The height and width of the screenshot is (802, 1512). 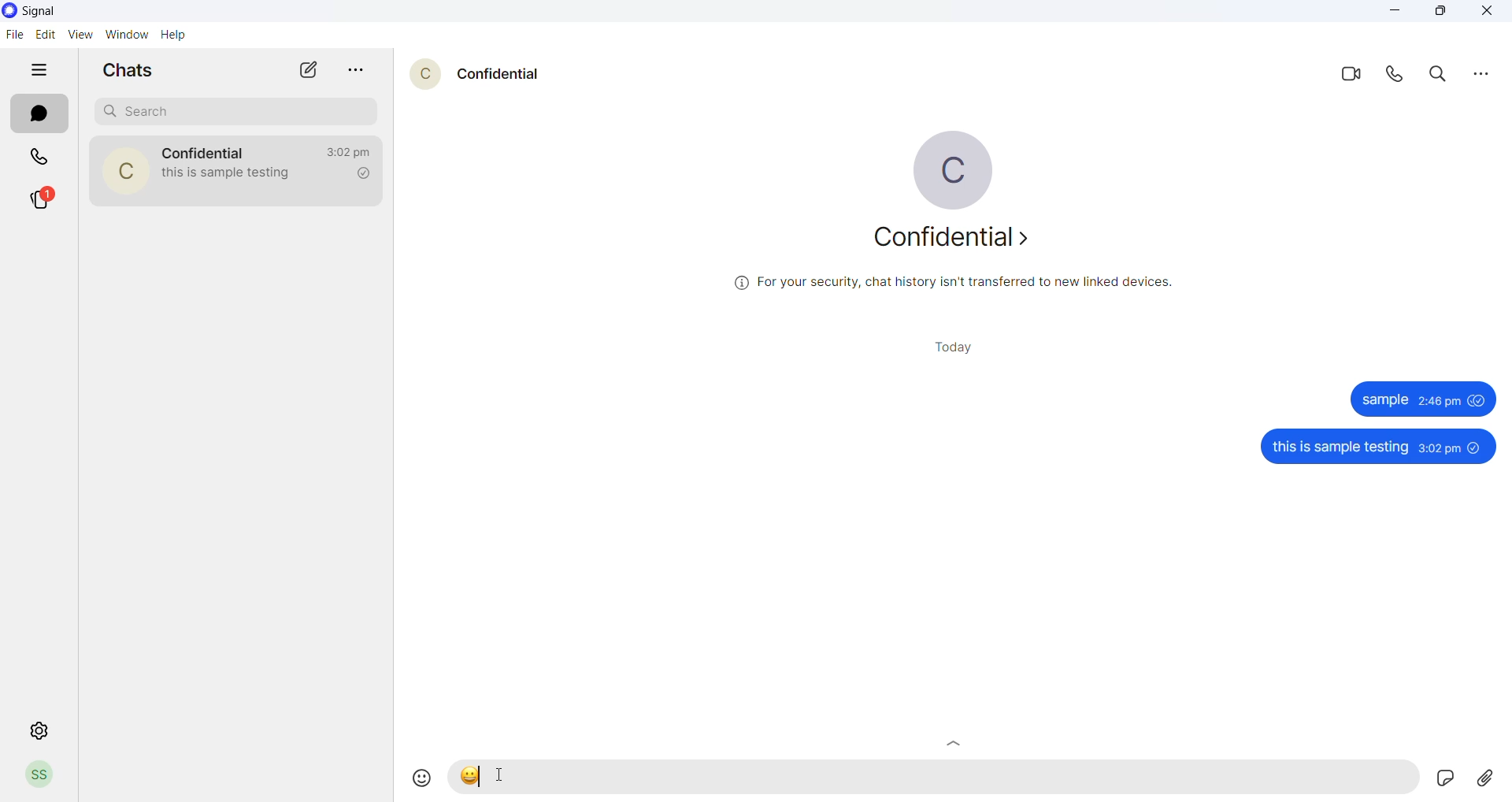 What do you see at coordinates (952, 284) in the screenshot?
I see `security related text` at bounding box center [952, 284].